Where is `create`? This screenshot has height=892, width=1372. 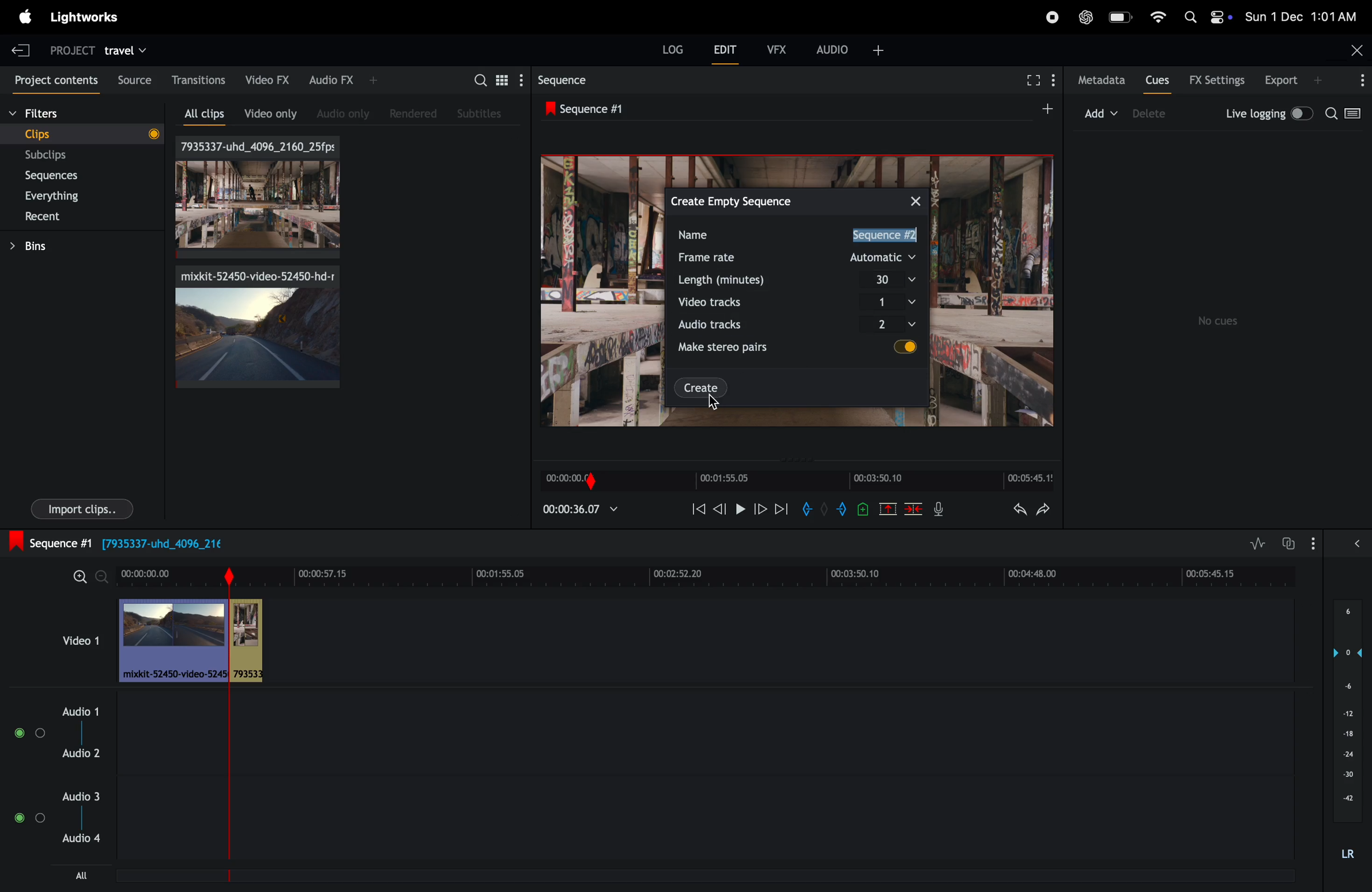 create is located at coordinates (701, 387).